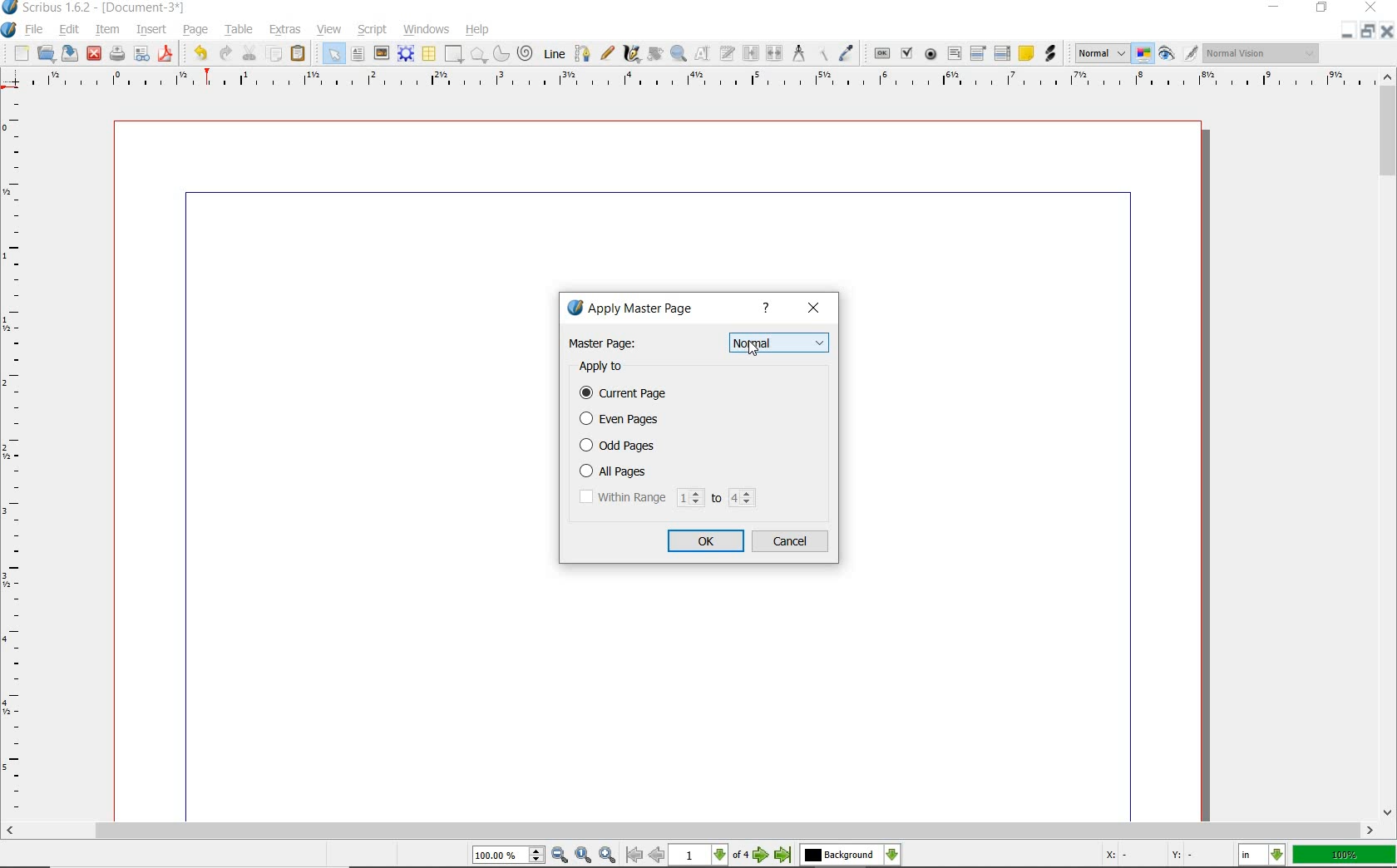 This screenshot has height=868, width=1397. What do you see at coordinates (357, 55) in the screenshot?
I see `text frame` at bounding box center [357, 55].